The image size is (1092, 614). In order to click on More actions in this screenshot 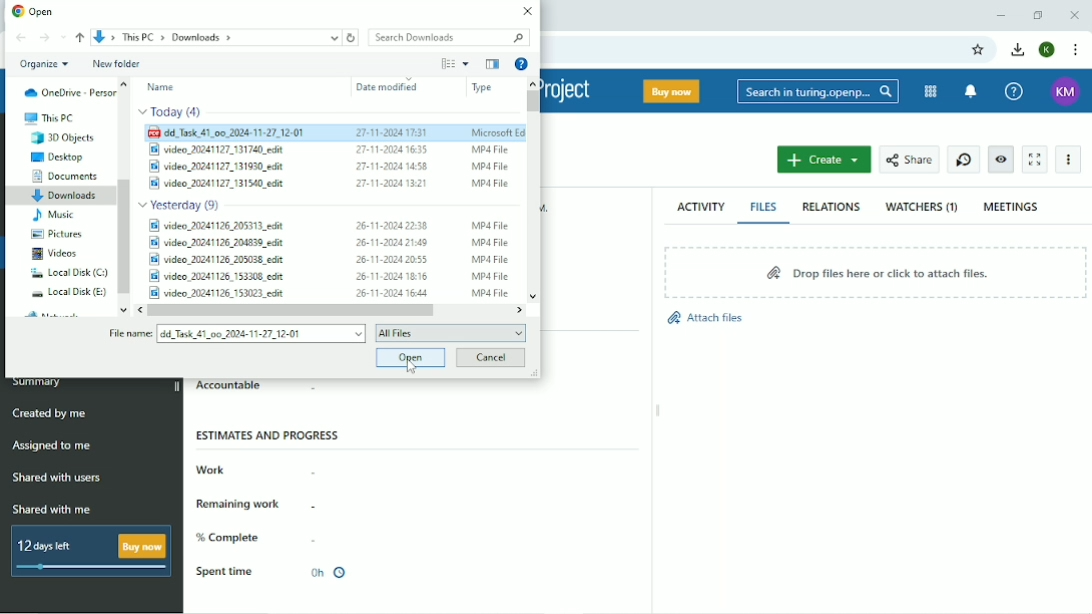, I will do `click(1068, 160)`.